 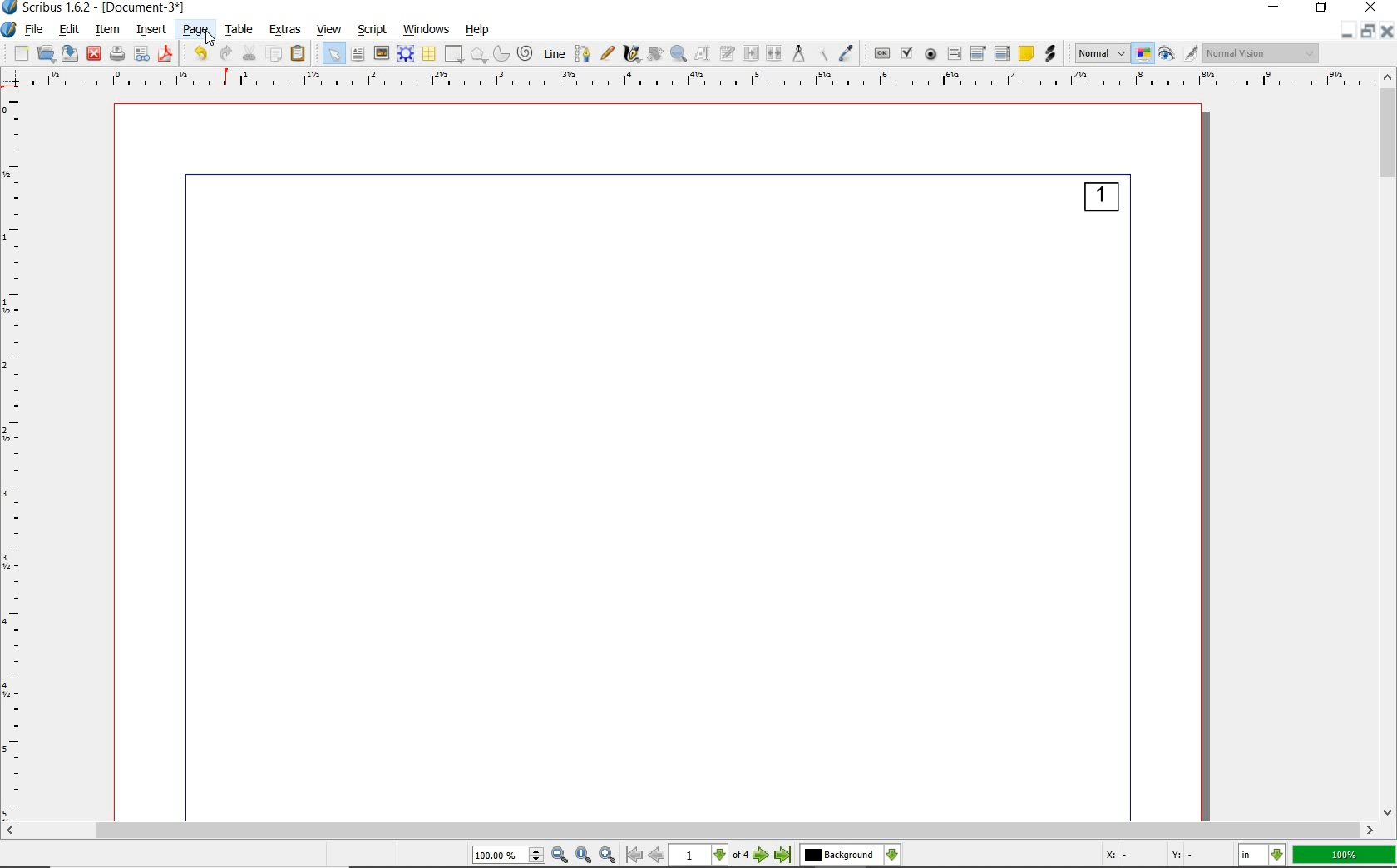 I want to click on help, so click(x=479, y=31).